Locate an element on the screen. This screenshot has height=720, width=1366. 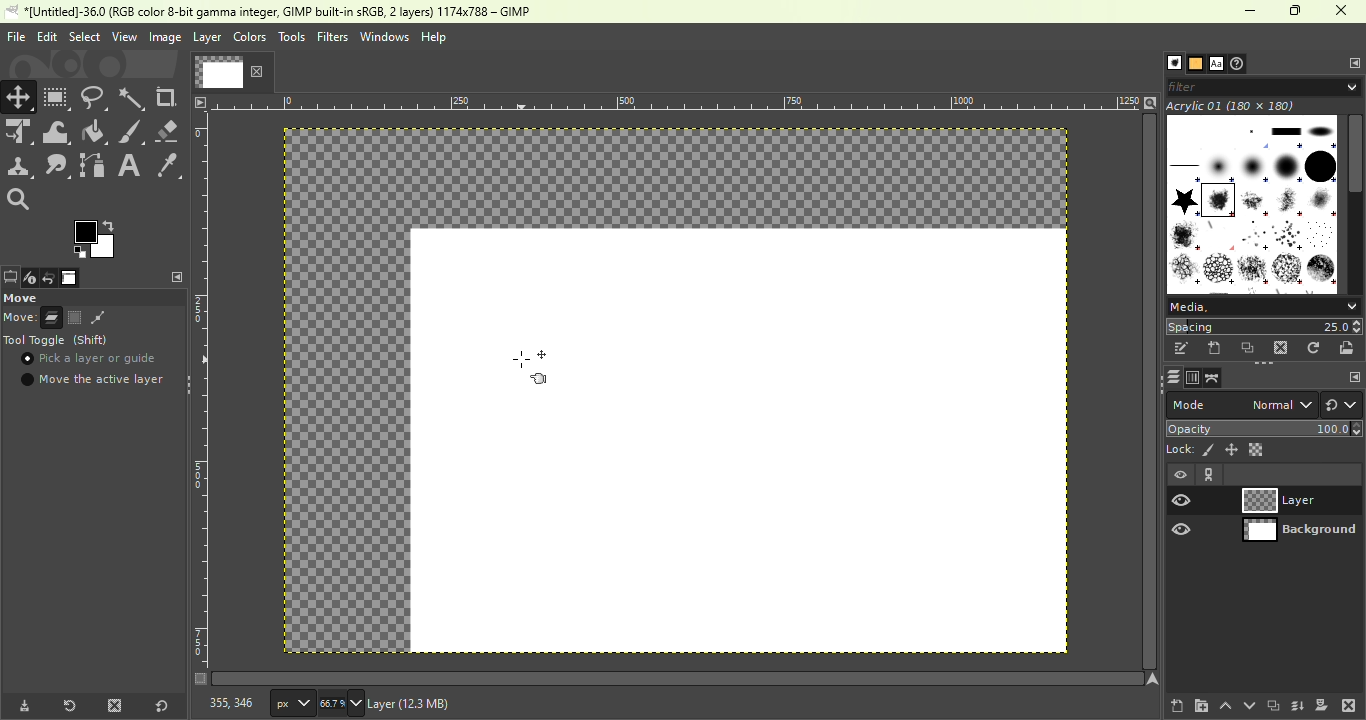
Text tool is located at coordinates (130, 164).